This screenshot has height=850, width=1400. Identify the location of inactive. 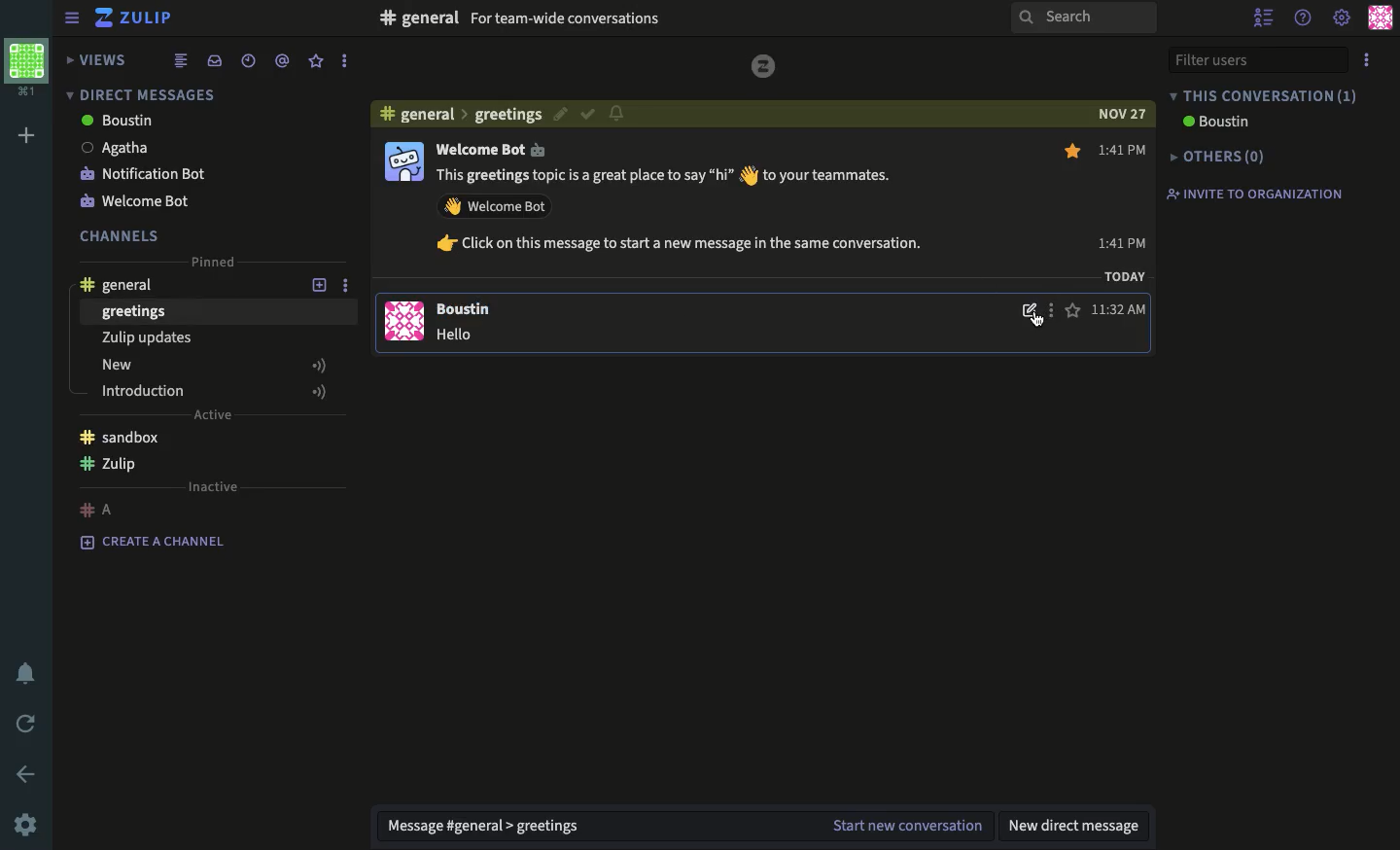
(213, 486).